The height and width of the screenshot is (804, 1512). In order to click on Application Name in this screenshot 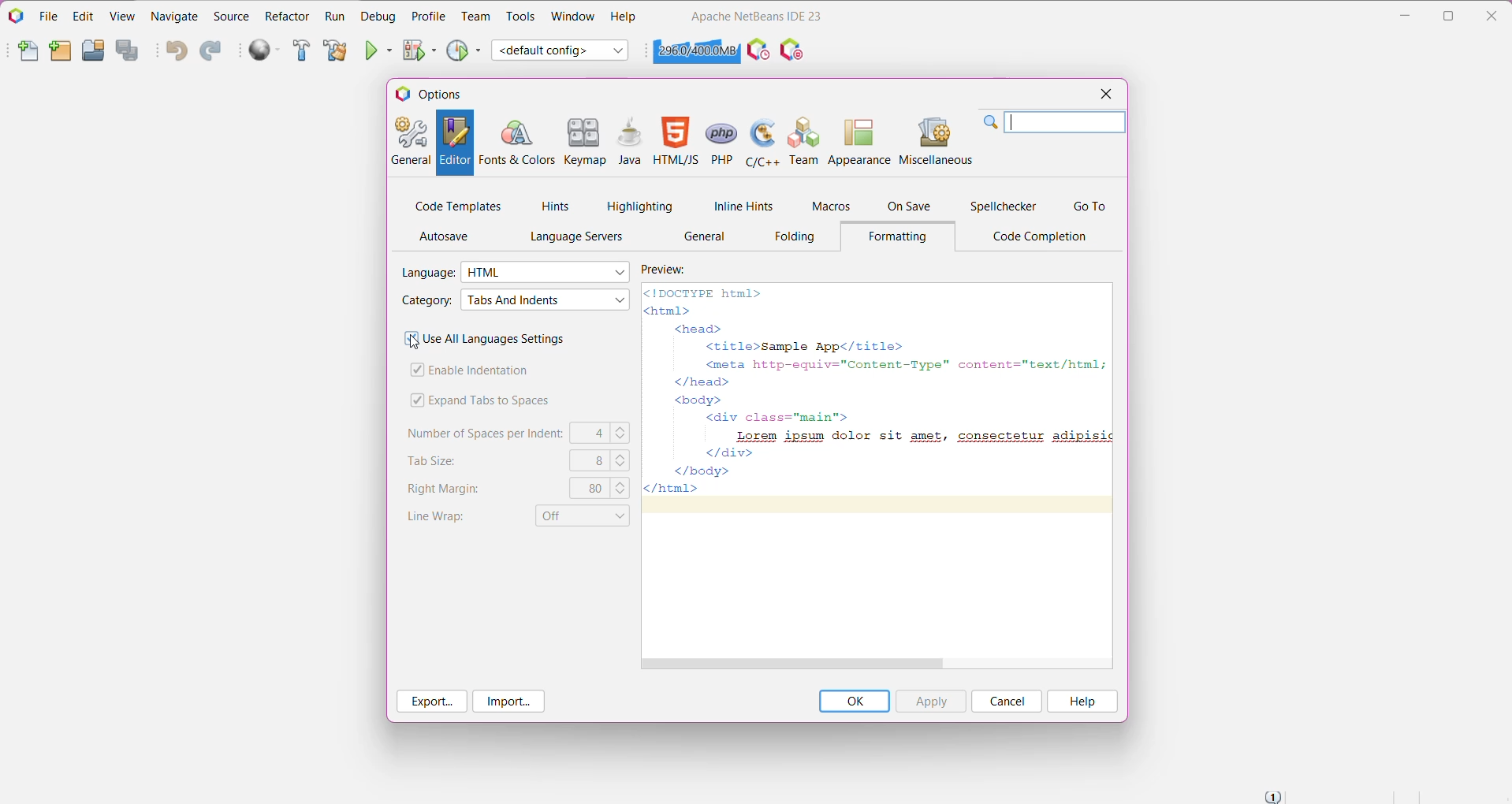, I will do `click(756, 16)`.